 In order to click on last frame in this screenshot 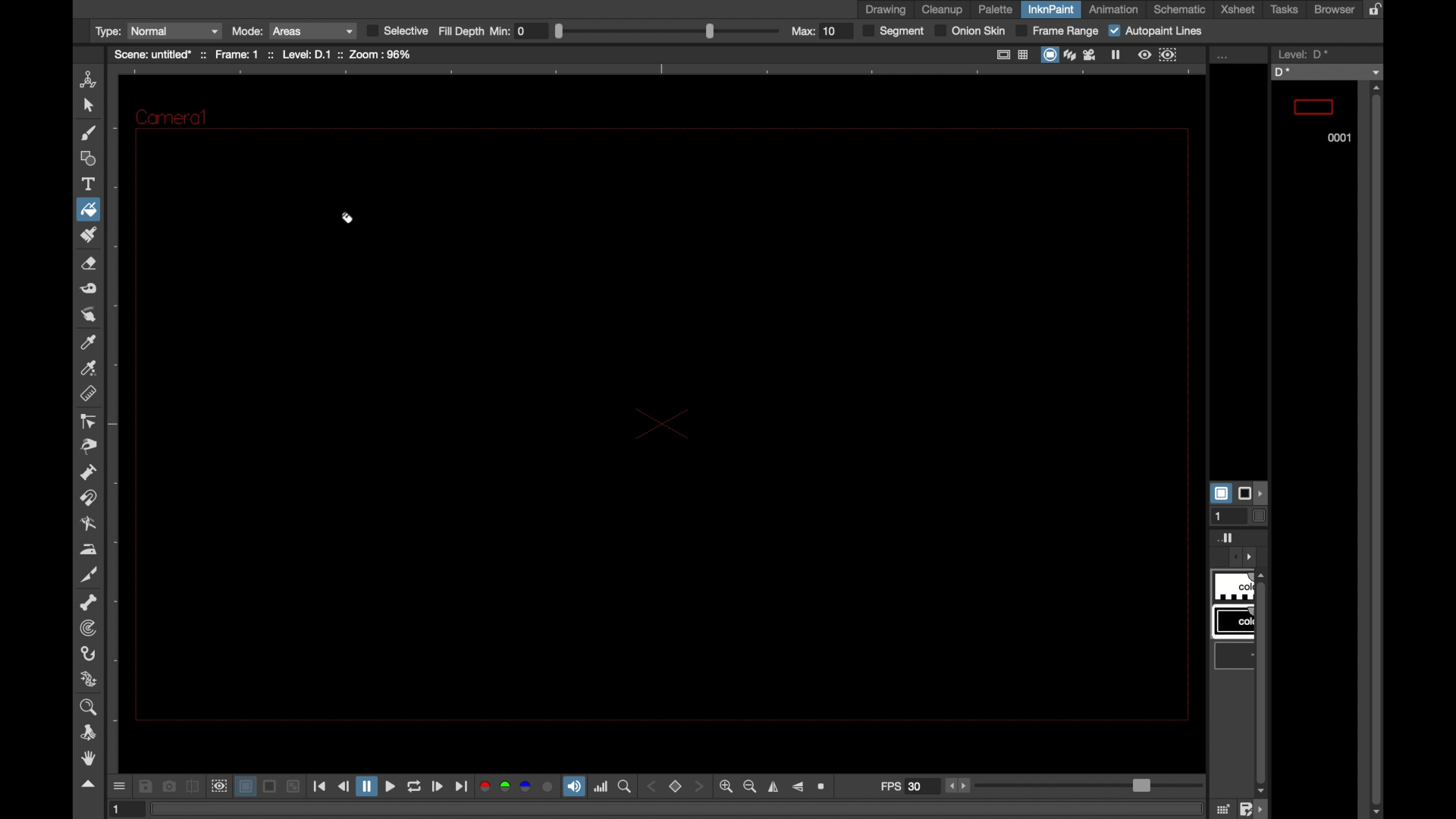, I will do `click(461, 786)`.